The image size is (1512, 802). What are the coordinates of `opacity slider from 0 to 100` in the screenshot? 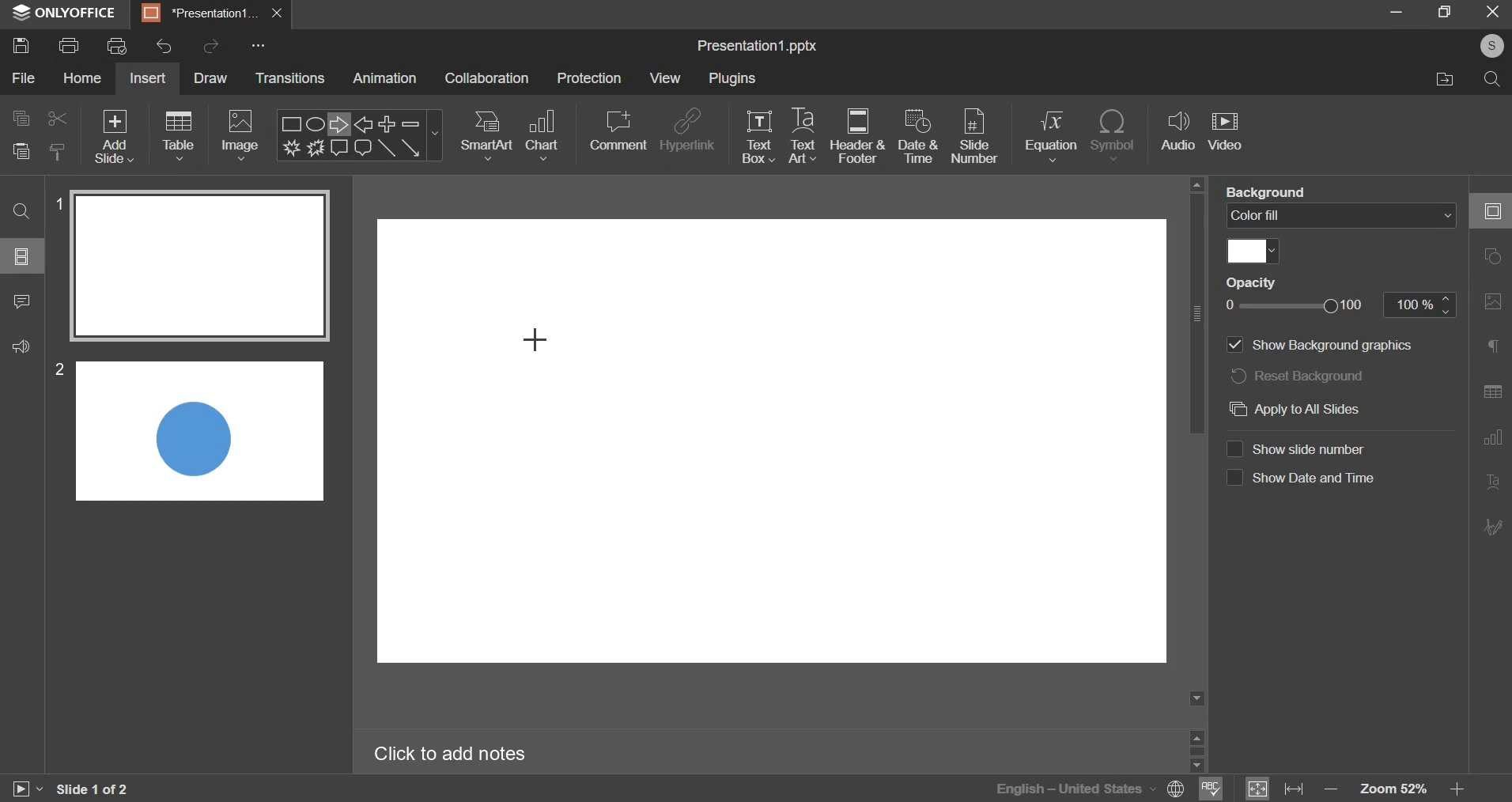 It's located at (1341, 306).